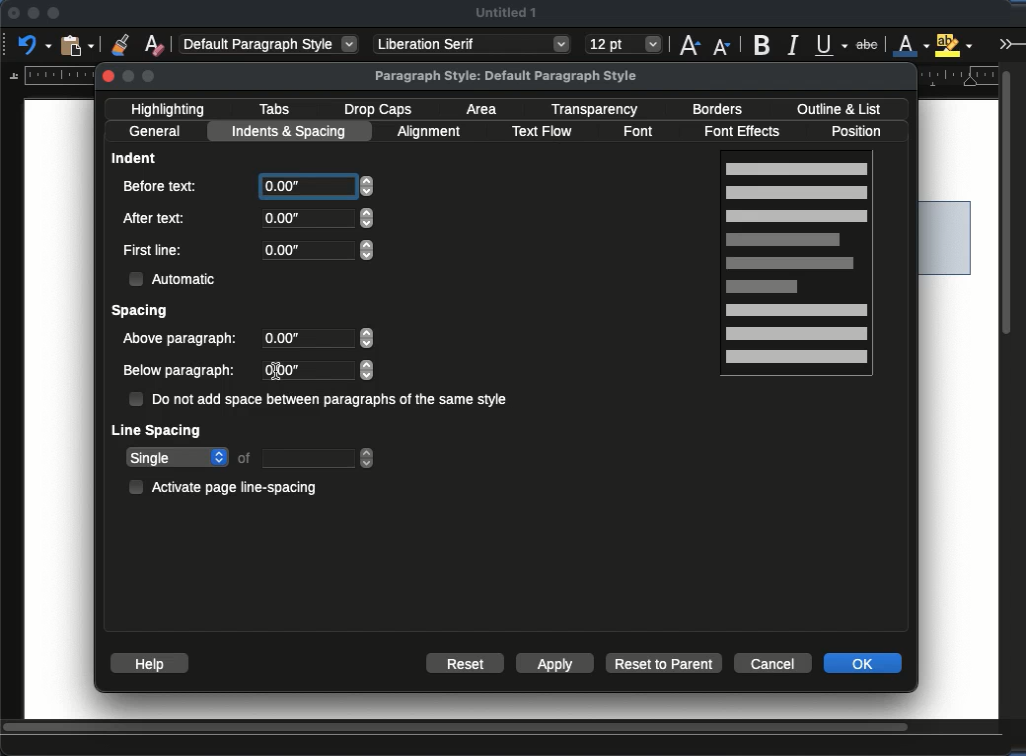  I want to click on 0.00, so click(317, 250).